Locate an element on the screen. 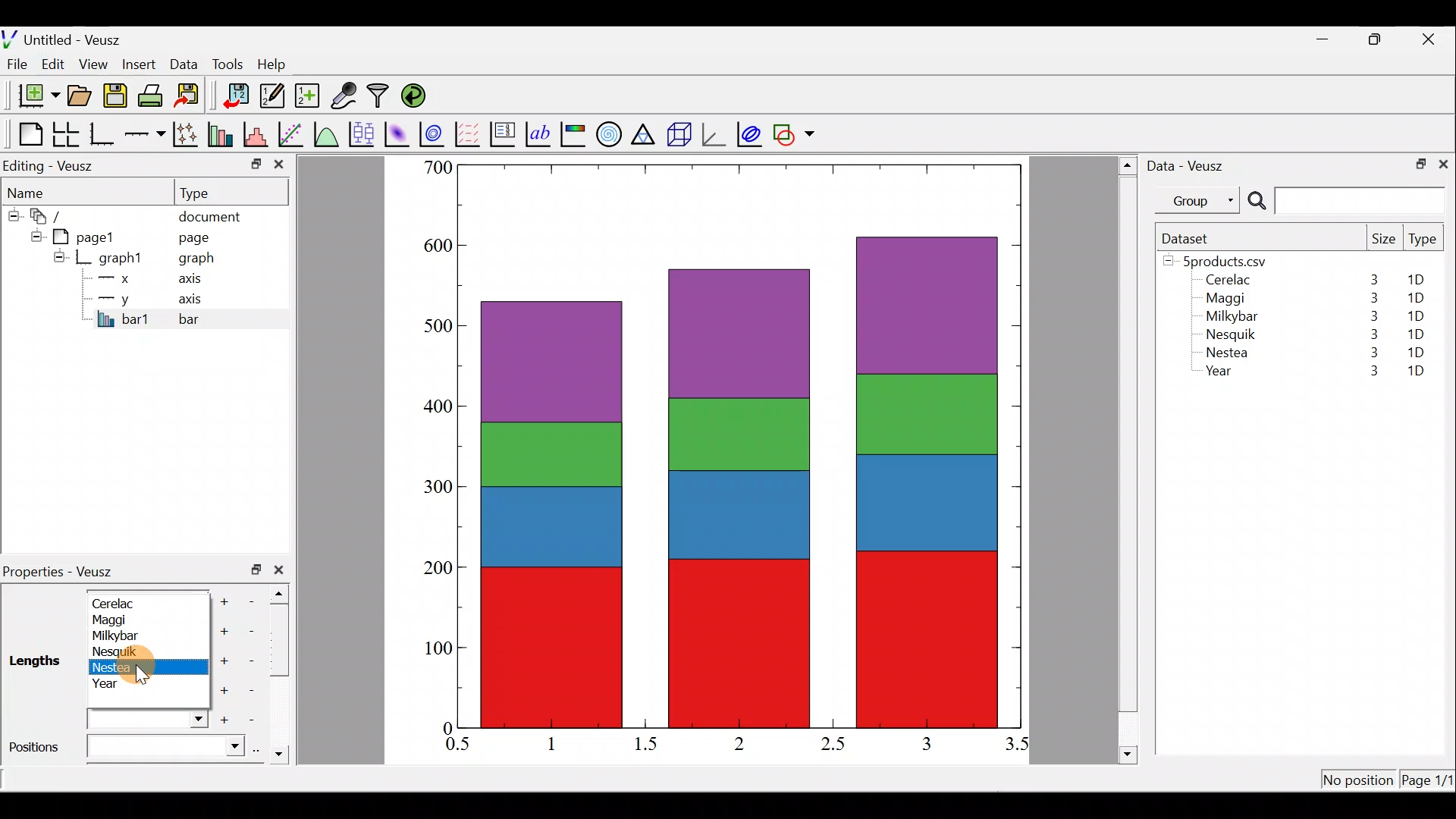  Plot a 2d dataset as contours is located at coordinates (435, 133).